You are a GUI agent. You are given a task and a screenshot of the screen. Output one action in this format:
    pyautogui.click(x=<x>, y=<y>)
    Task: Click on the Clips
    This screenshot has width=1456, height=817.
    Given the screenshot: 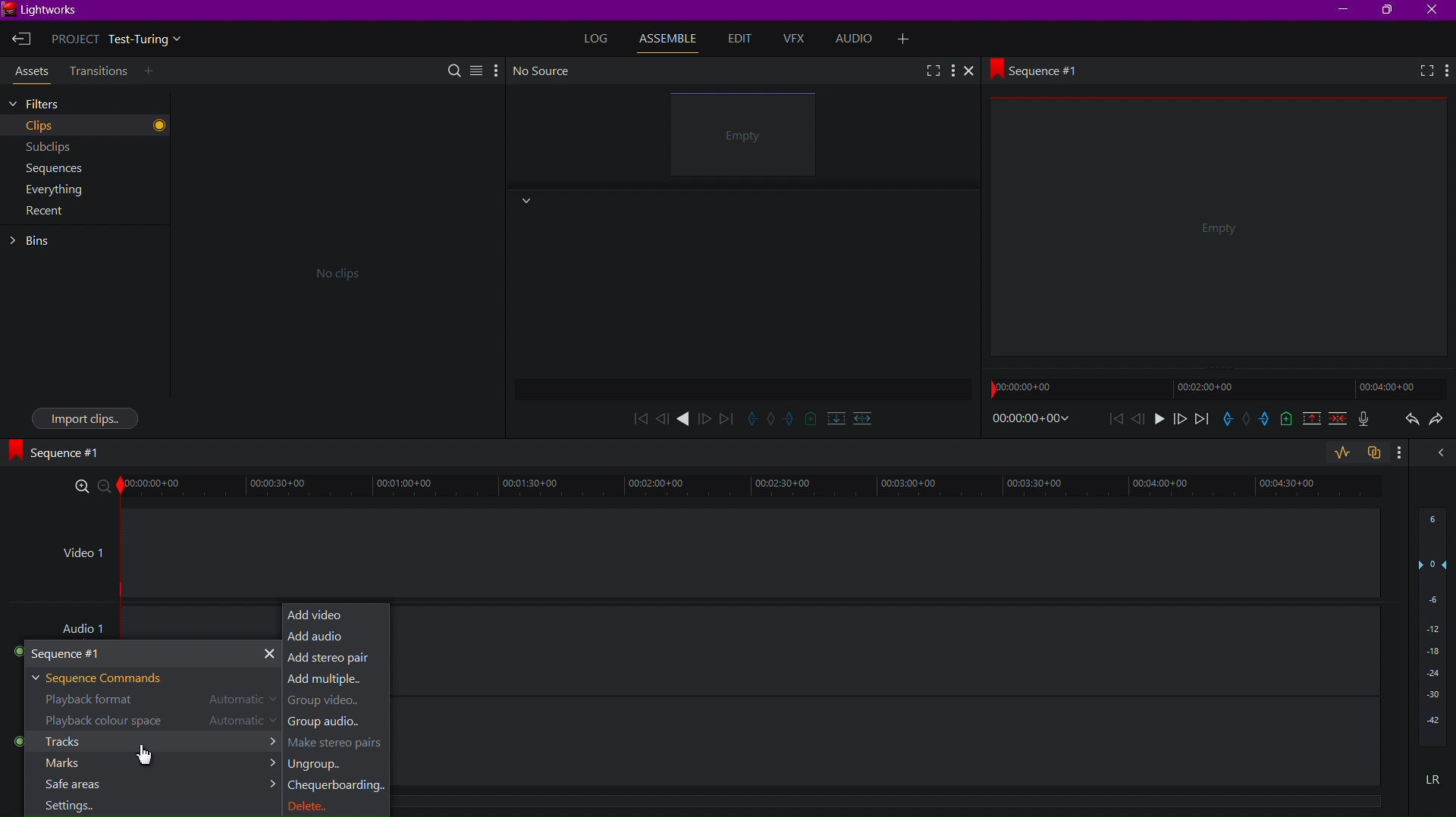 What is the action you would take?
    pyautogui.click(x=61, y=126)
    